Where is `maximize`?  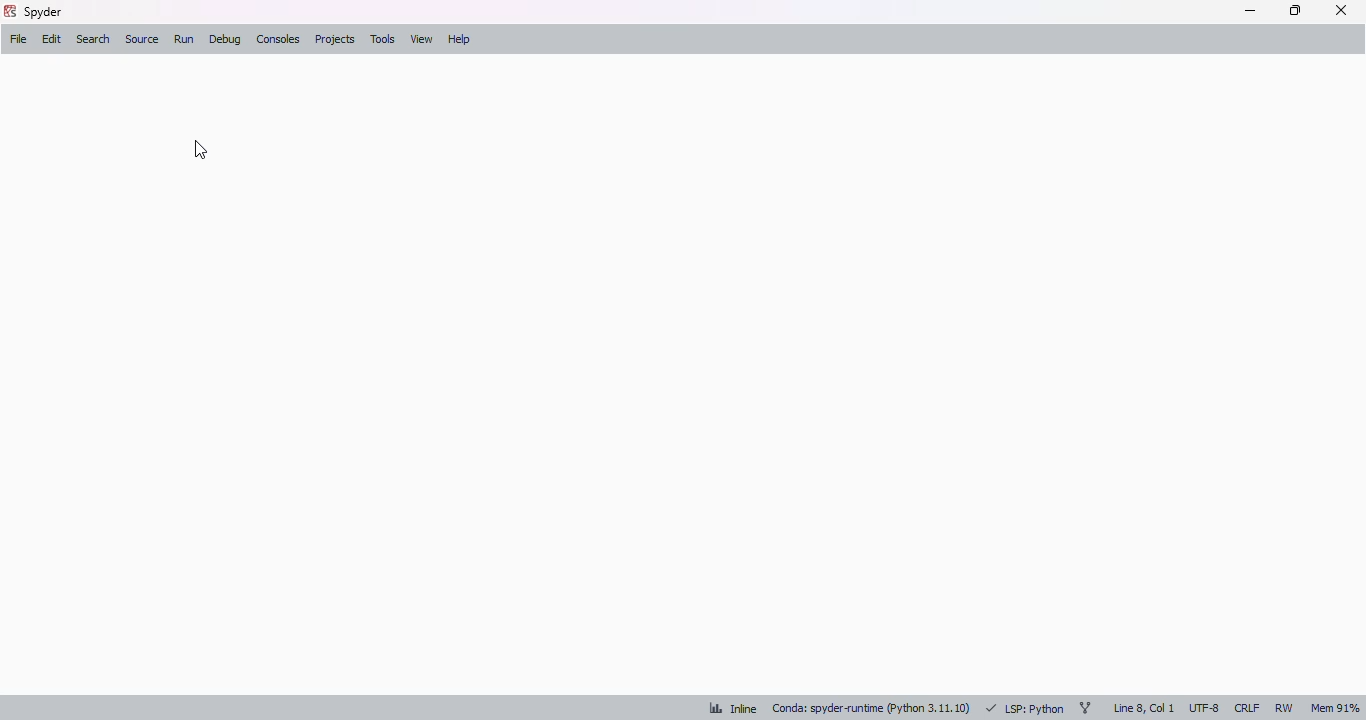
maximize is located at coordinates (1295, 10).